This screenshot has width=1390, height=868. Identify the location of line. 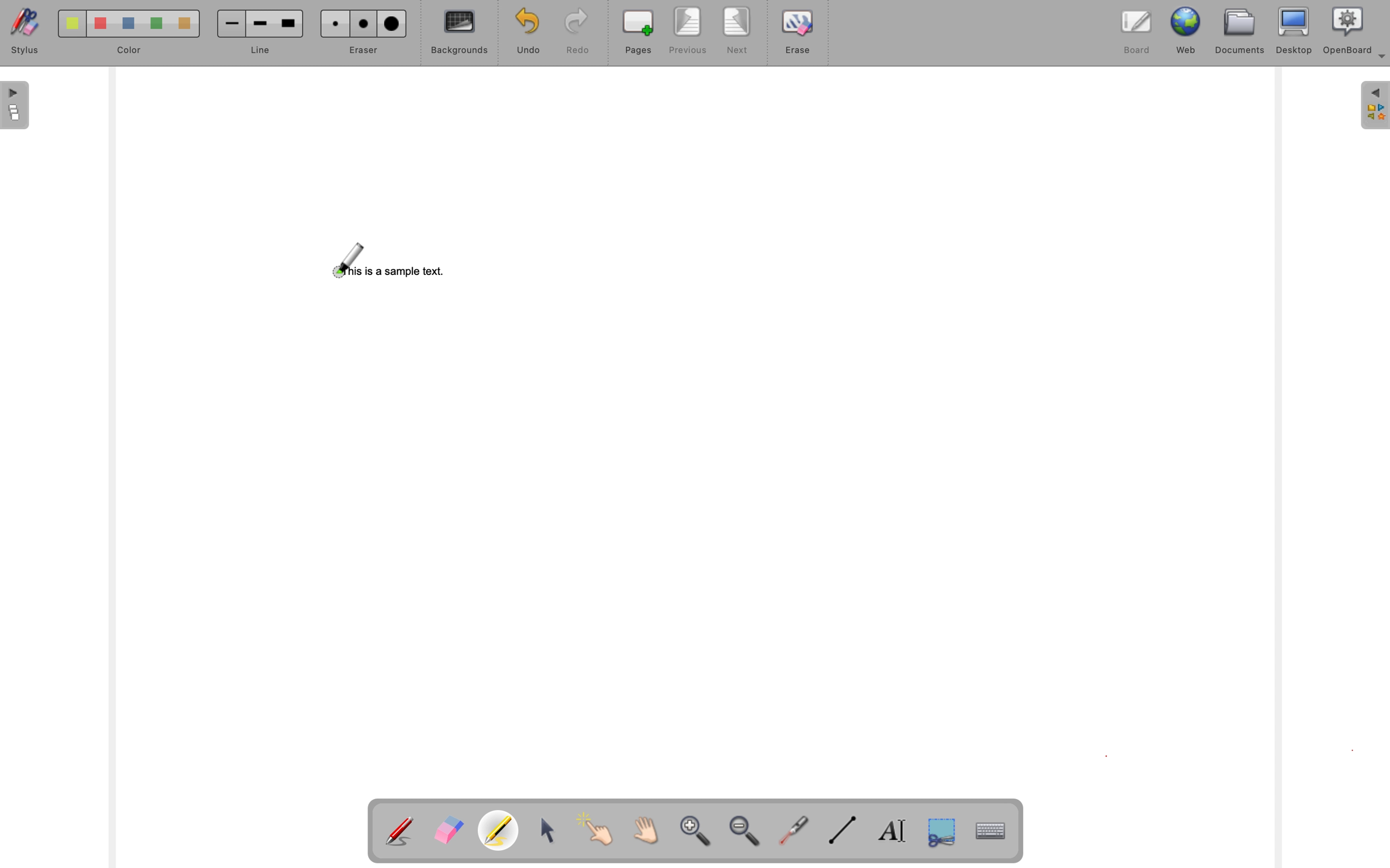
(261, 51).